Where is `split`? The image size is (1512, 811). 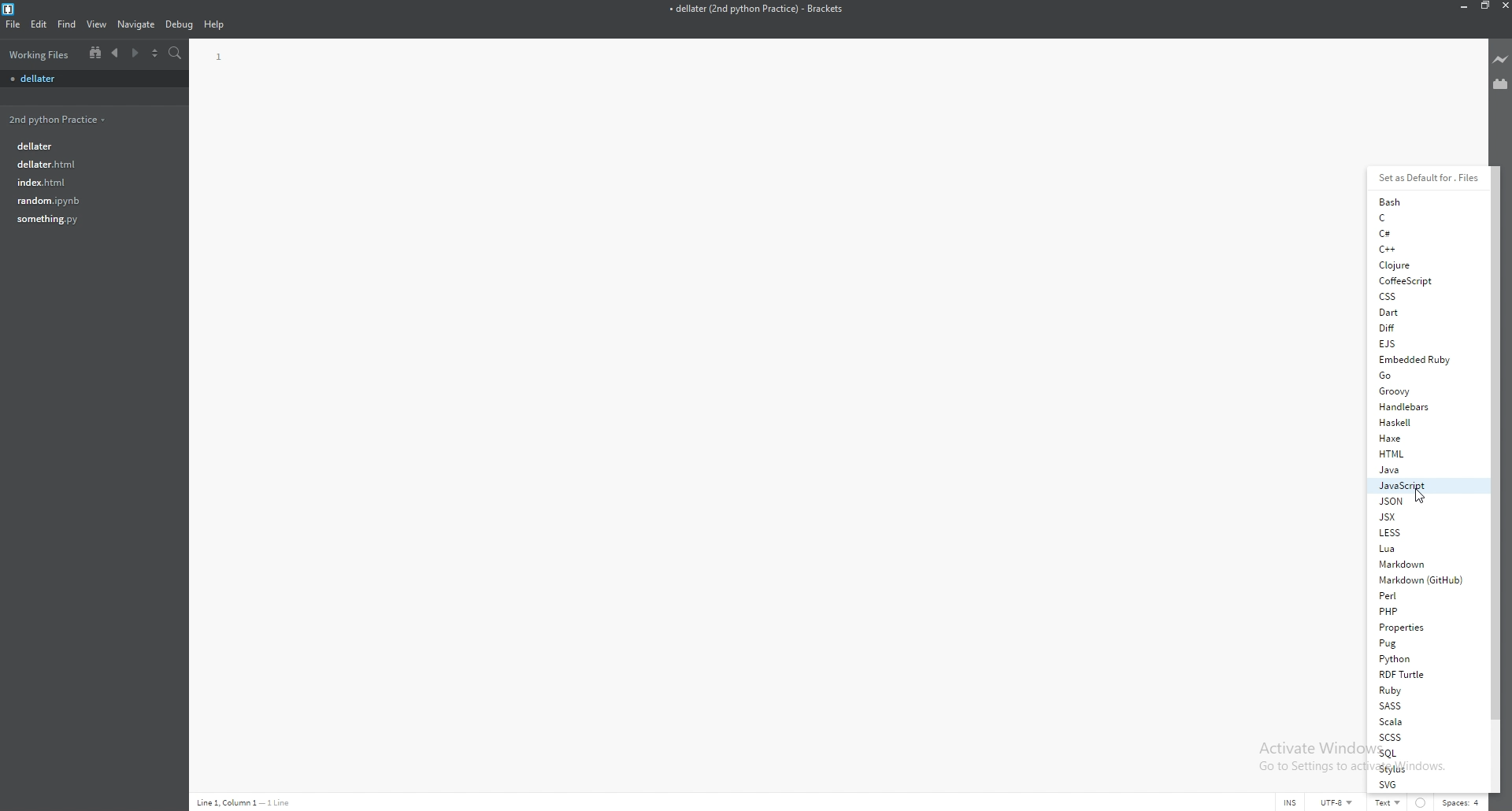
split is located at coordinates (156, 54).